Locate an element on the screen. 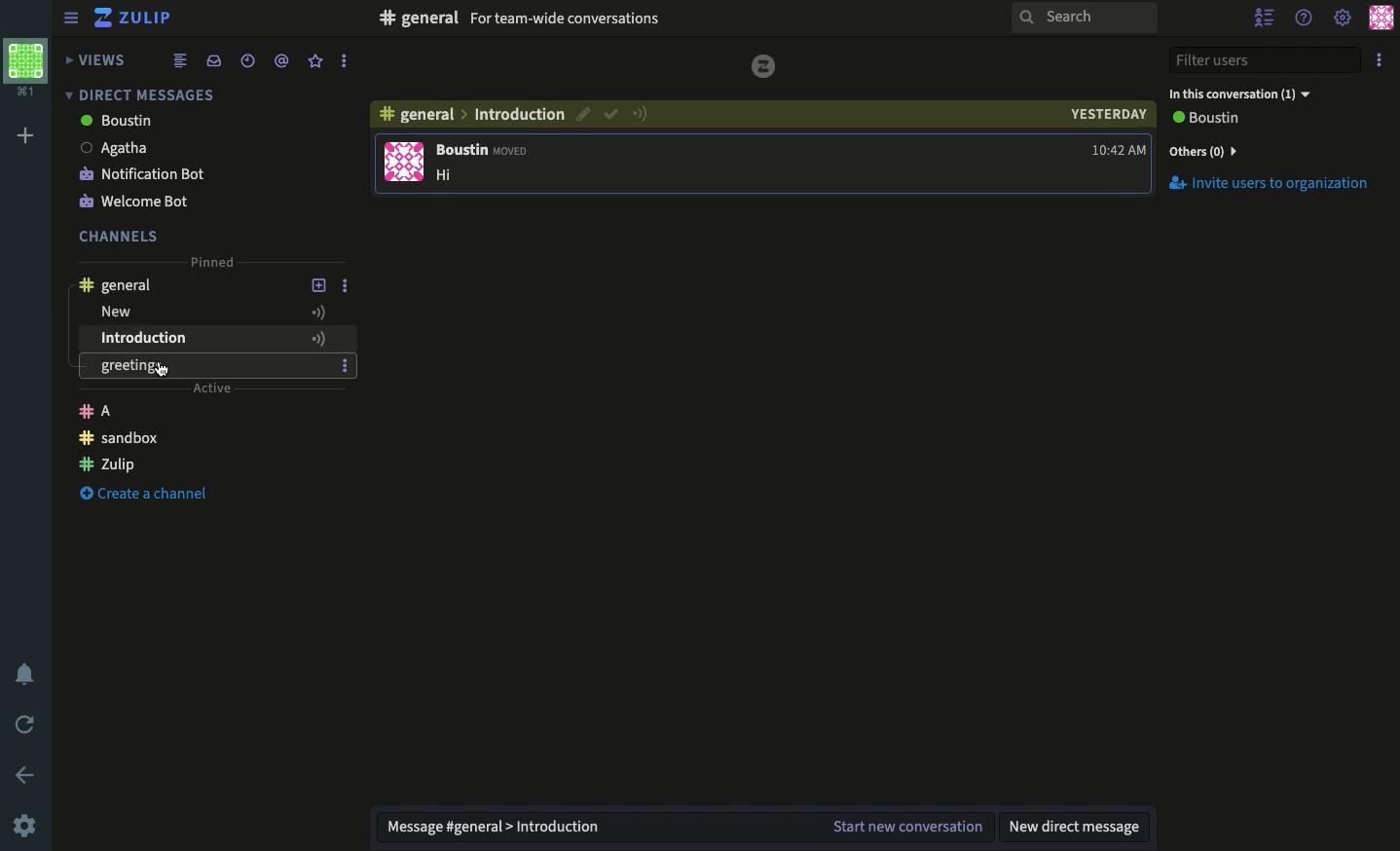 This screenshot has width=1400, height=851. Introduction is located at coordinates (190, 340).